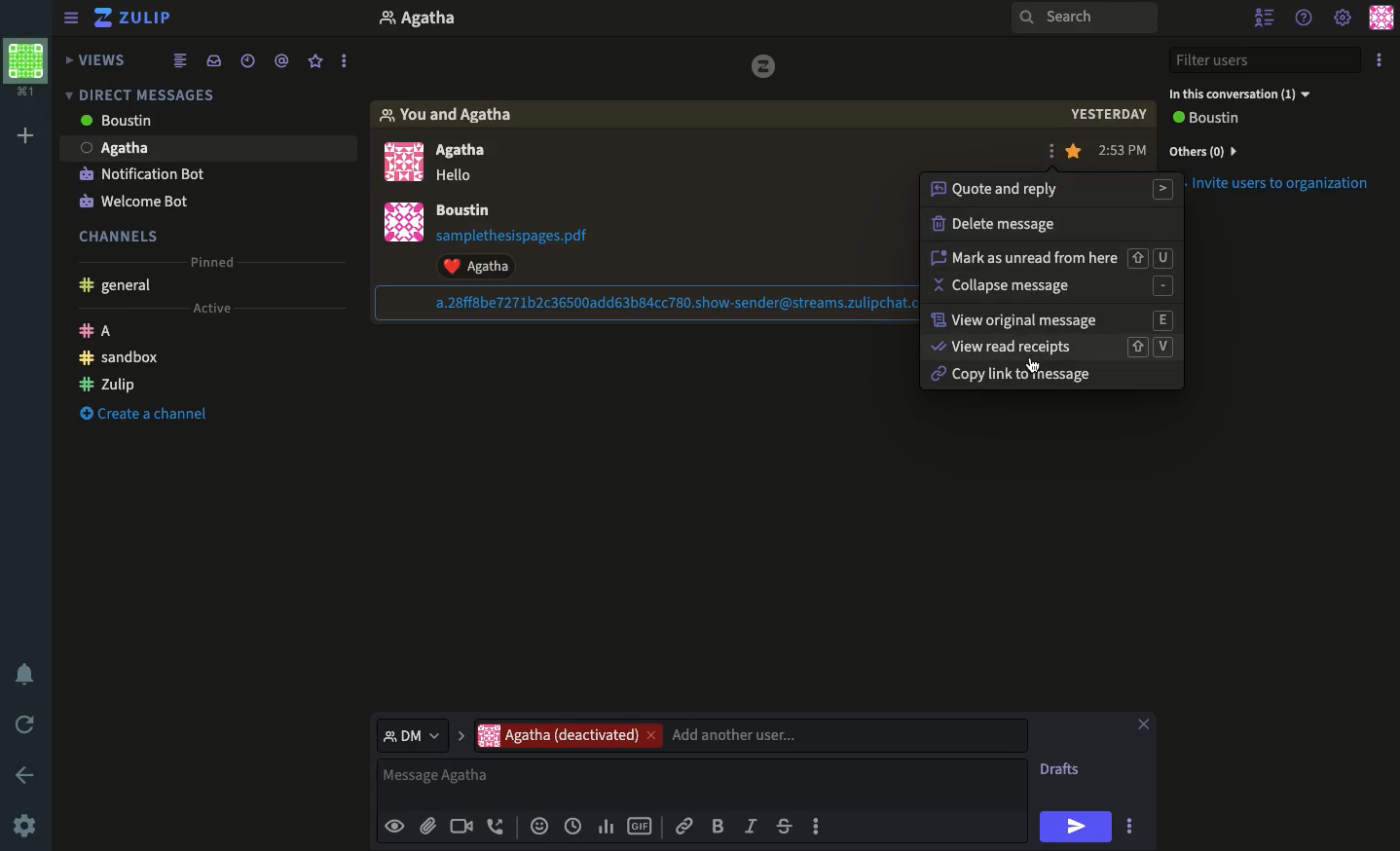 The width and height of the screenshot is (1400, 851). What do you see at coordinates (1052, 190) in the screenshot?
I see `Quote and reply` at bounding box center [1052, 190].